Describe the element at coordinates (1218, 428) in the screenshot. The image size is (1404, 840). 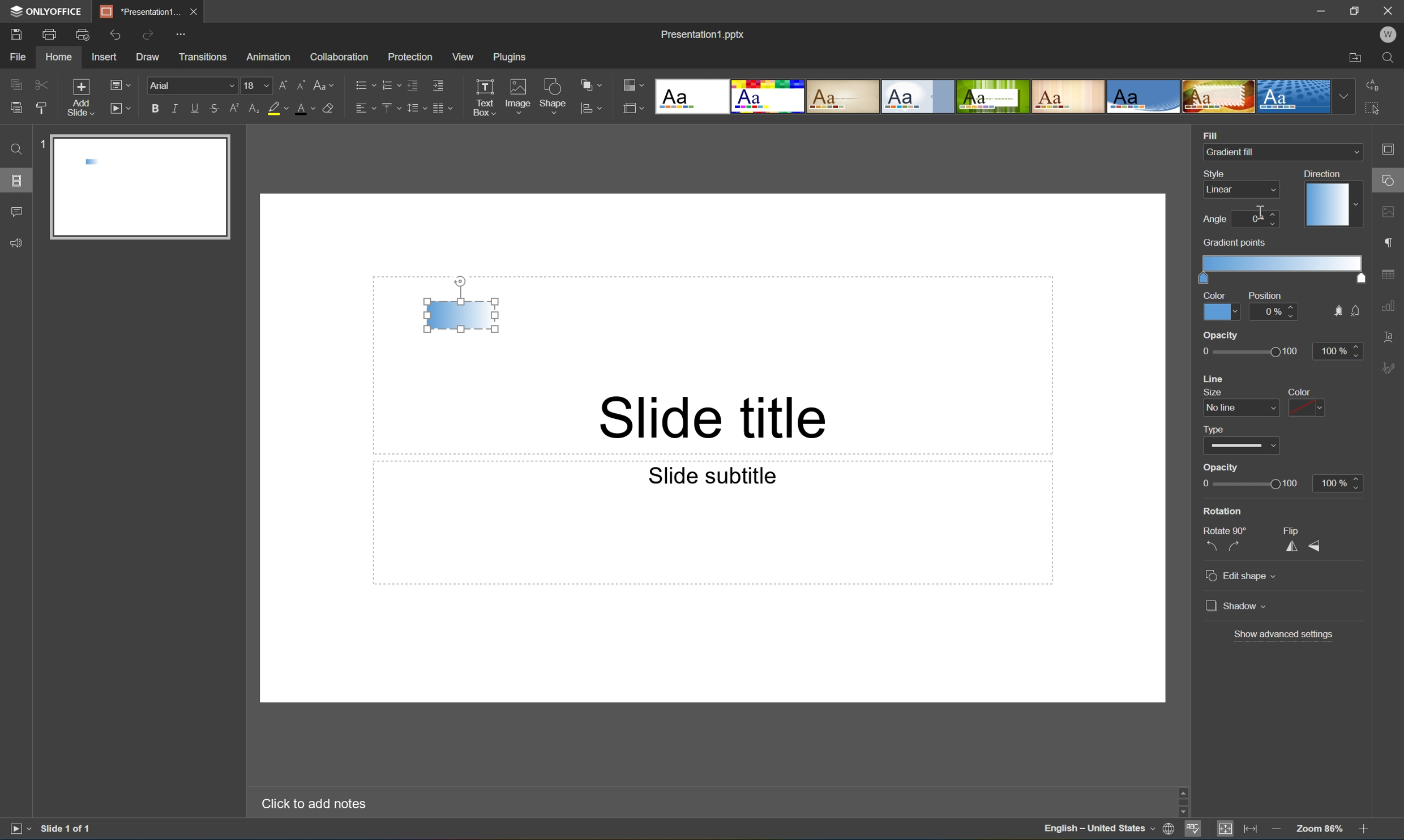
I see `type` at that location.